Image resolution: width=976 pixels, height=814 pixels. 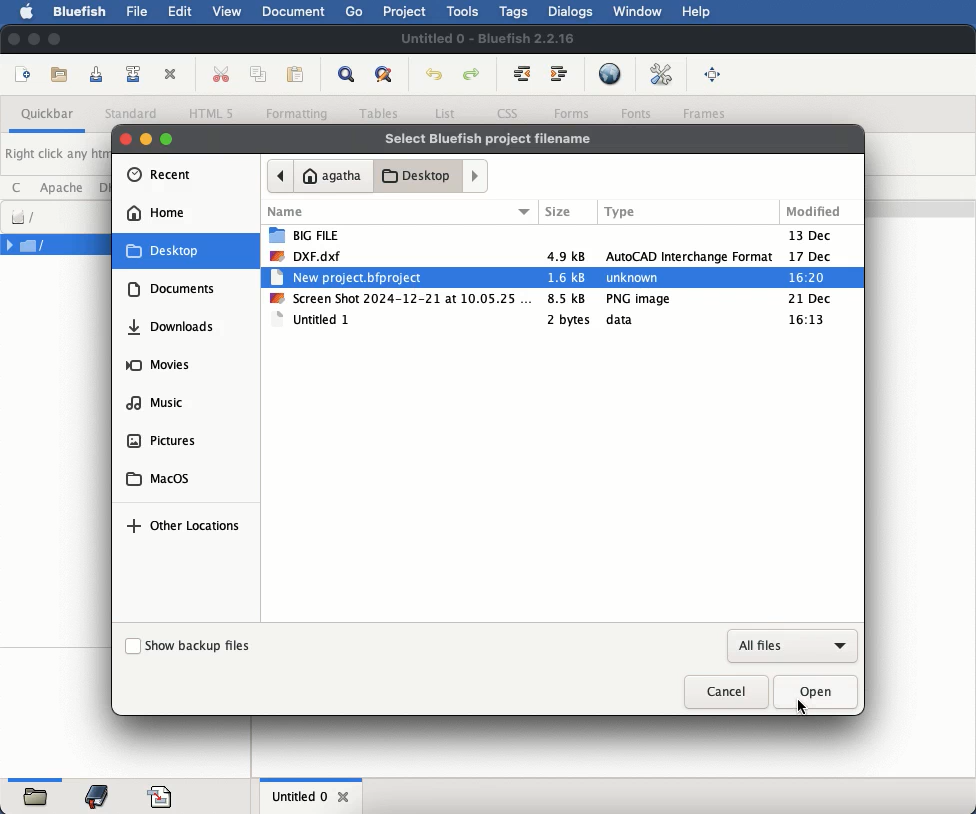 What do you see at coordinates (79, 9) in the screenshot?
I see `bluefish` at bounding box center [79, 9].